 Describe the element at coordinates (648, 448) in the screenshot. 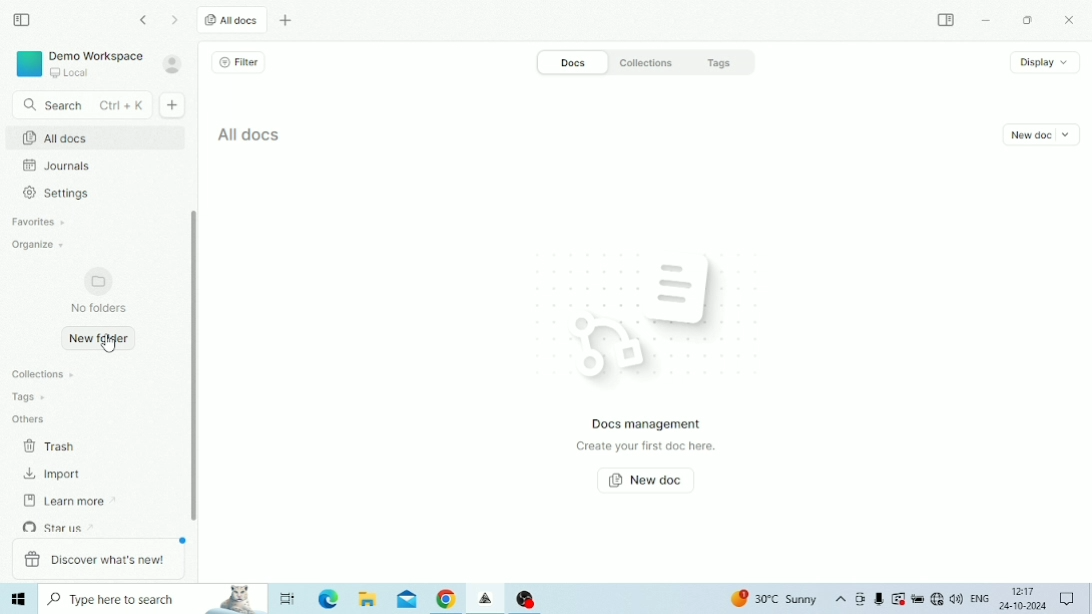

I see `Create your first doc here` at that location.